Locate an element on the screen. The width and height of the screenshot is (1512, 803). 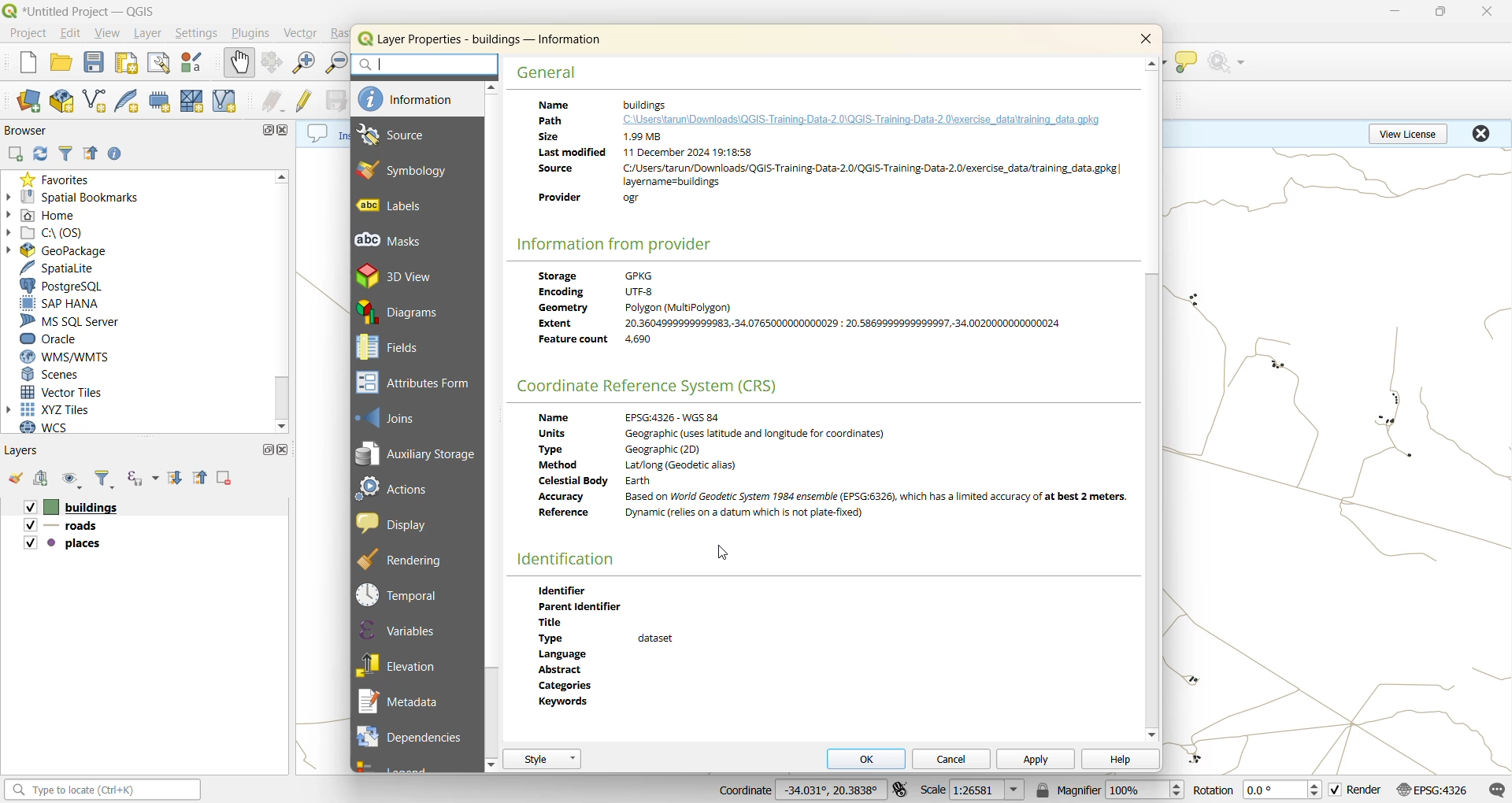
temporal is located at coordinates (402, 594).